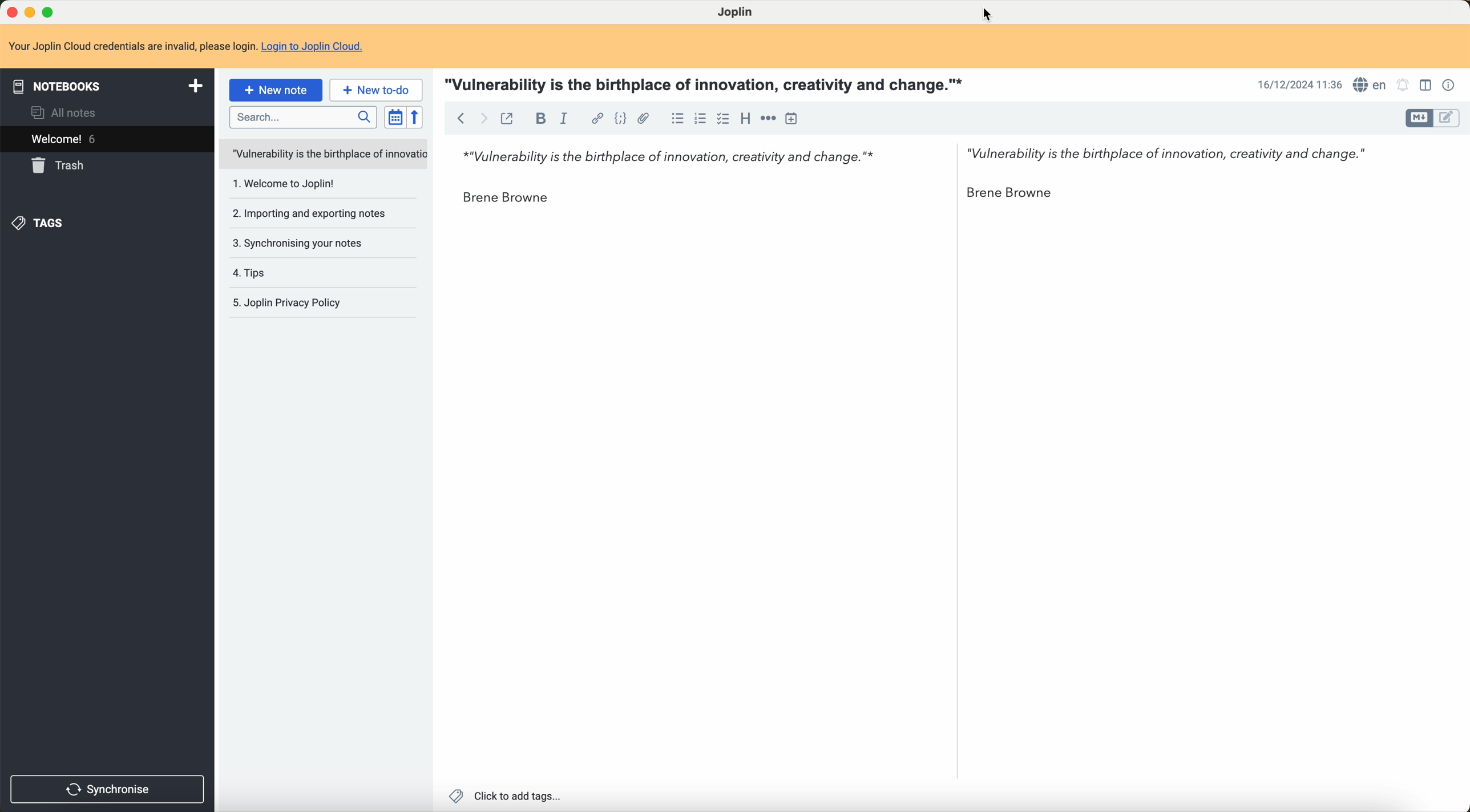  Describe the element at coordinates (312, 214) in the screenshot. I see `importing and exporting notes` at that location.